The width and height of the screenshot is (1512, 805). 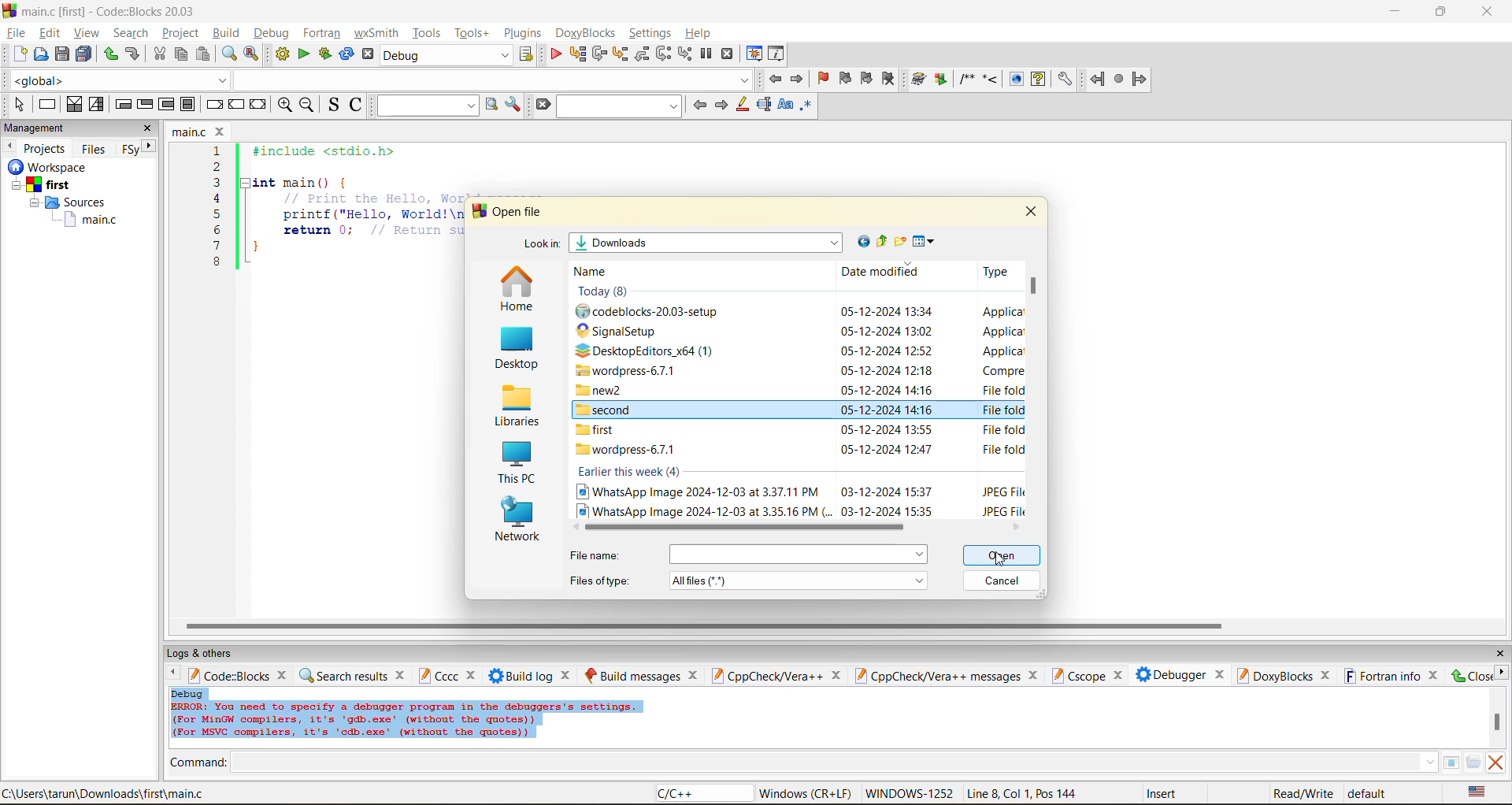 I want to click on search, so click(x=131, y=32).